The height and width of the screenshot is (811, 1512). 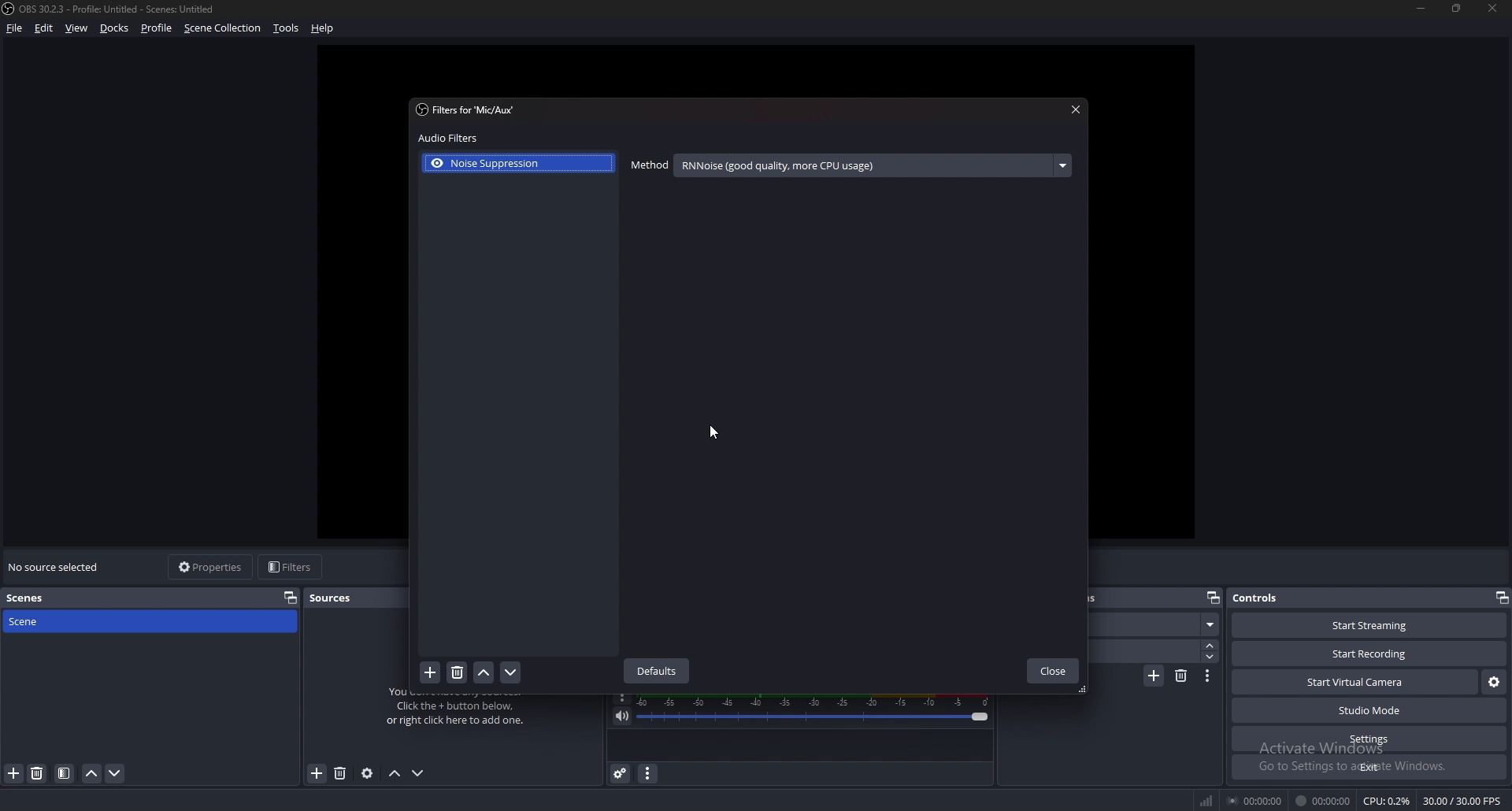 I want to click on profile, so click(x=157, y=29).